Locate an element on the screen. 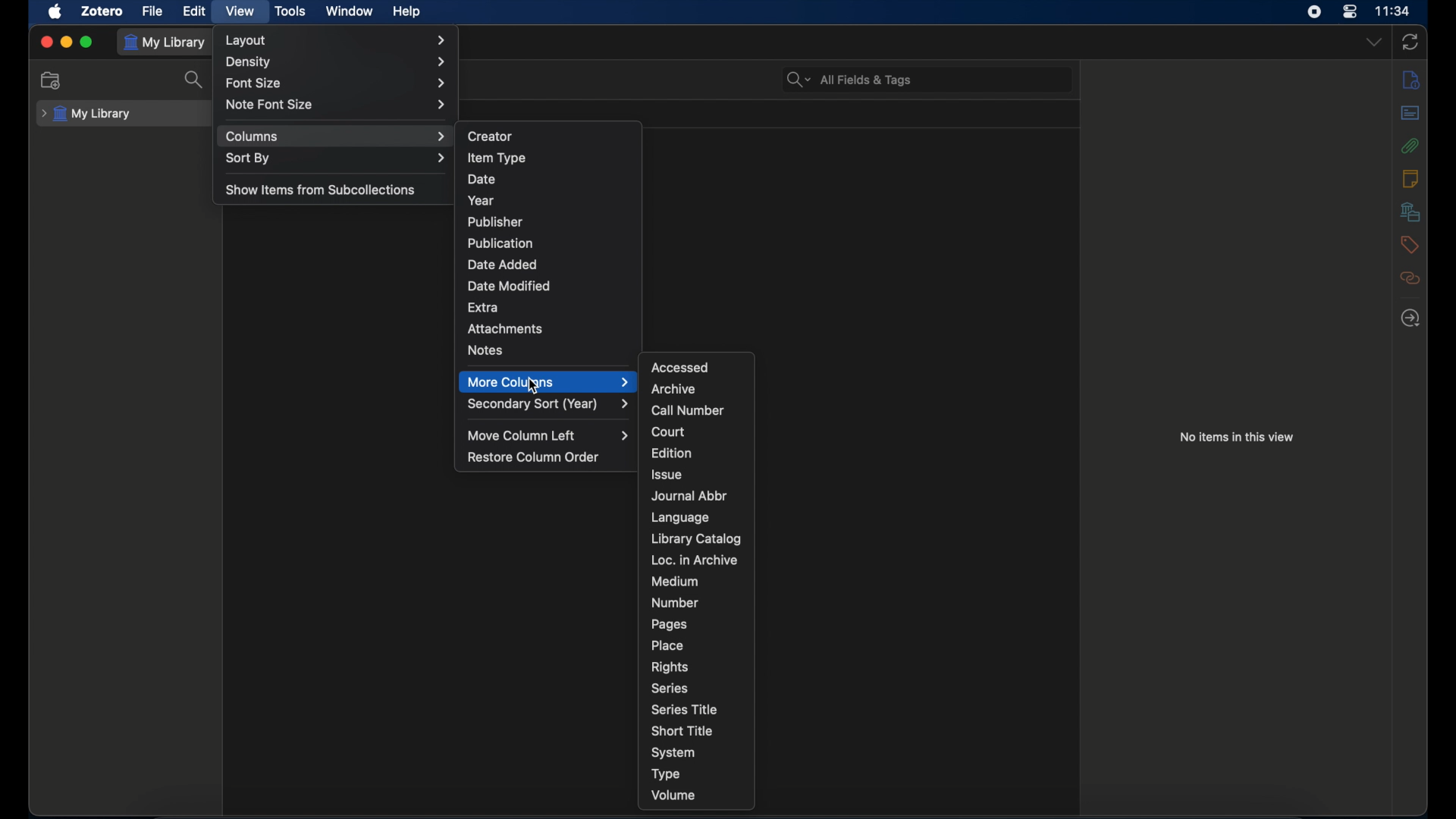 This screenshot has height=819, width=1456. note font size is located at coordinates (337, 104).